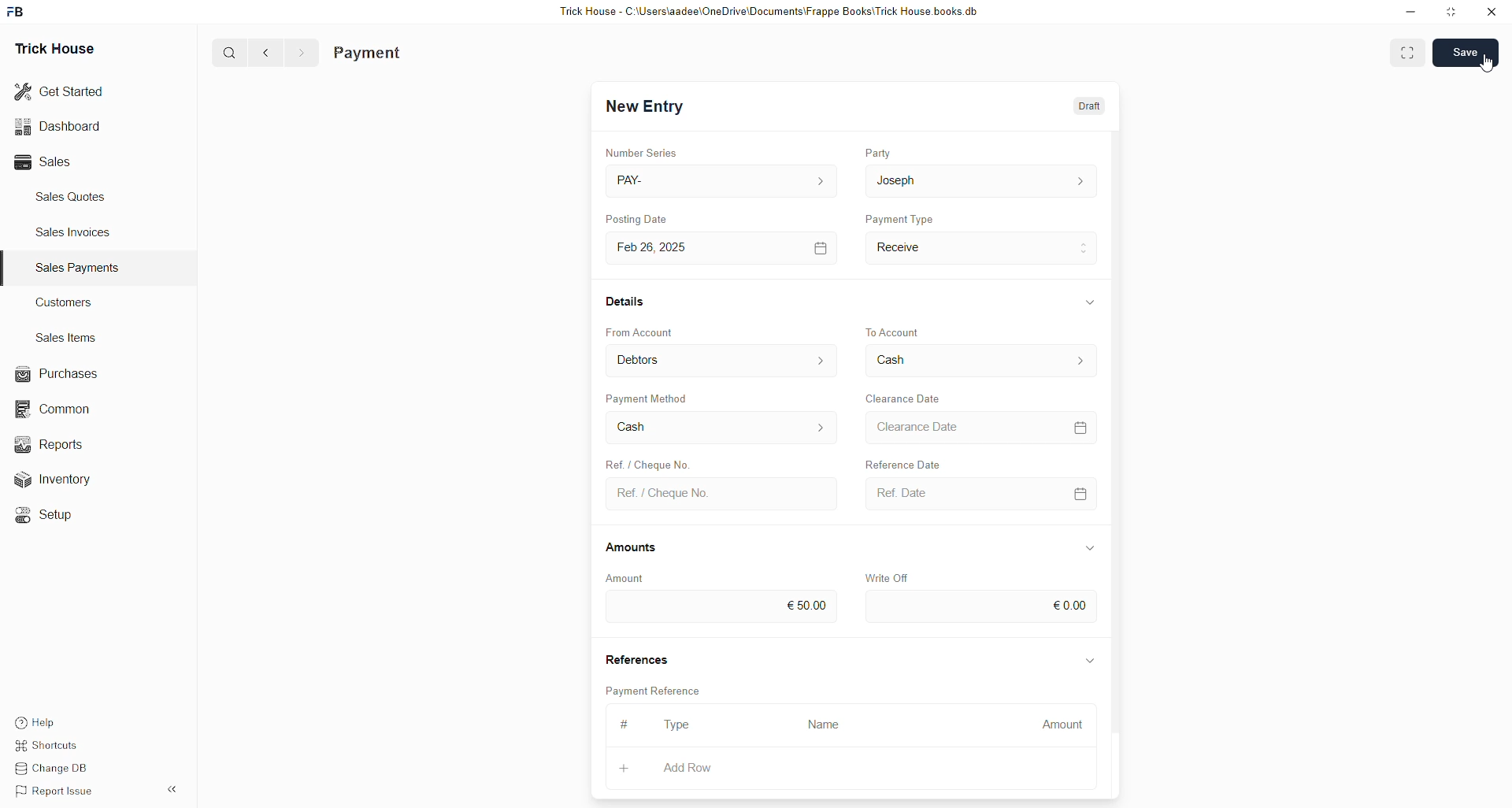 This screenshot has width=1512, height=808. Describe the element at coordinates (904, 398) in the screenshot. I see `Clearance Date` at that location.